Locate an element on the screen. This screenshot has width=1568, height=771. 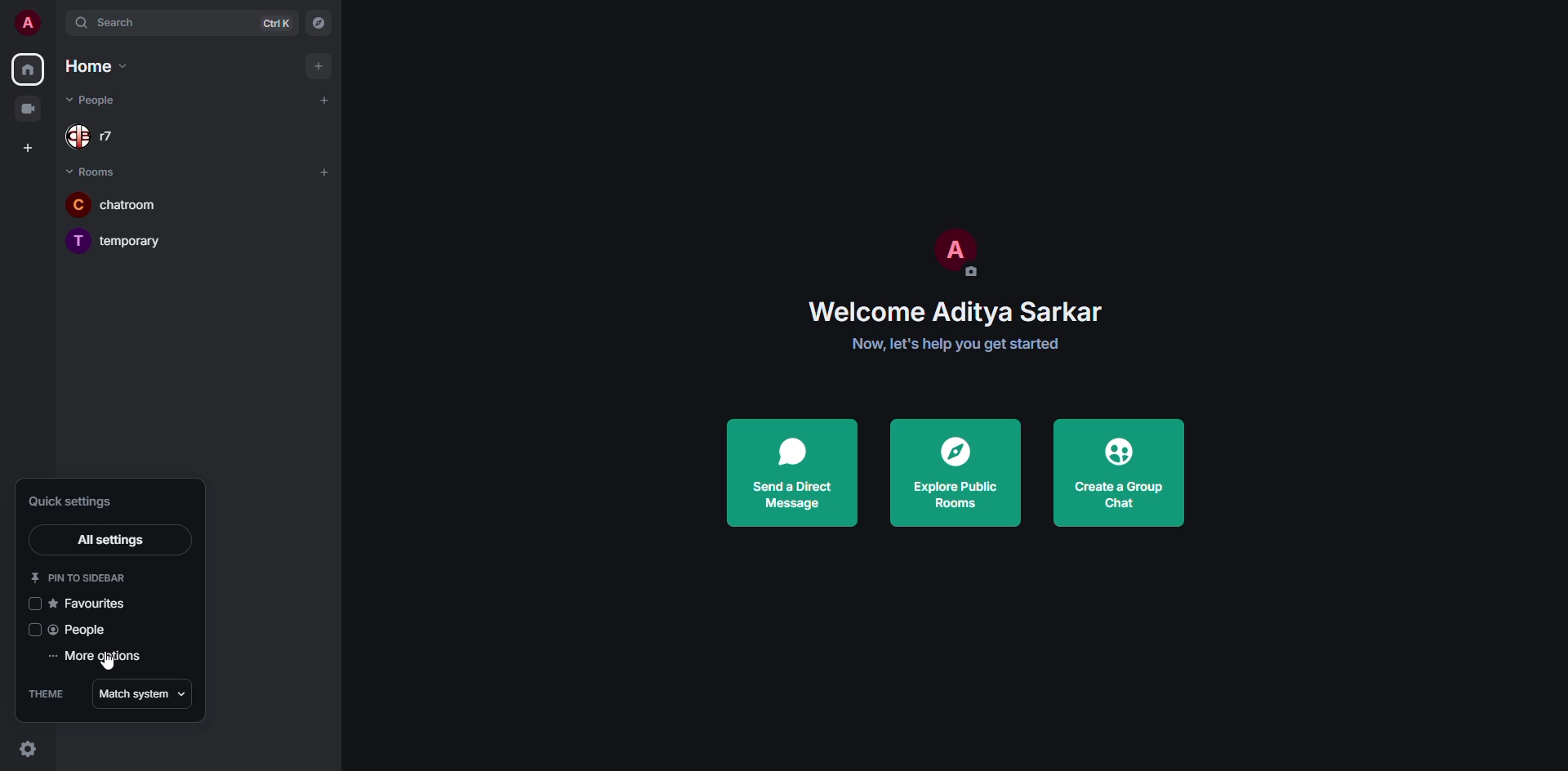
pin to sidebar is located at coordinates (78, 577).